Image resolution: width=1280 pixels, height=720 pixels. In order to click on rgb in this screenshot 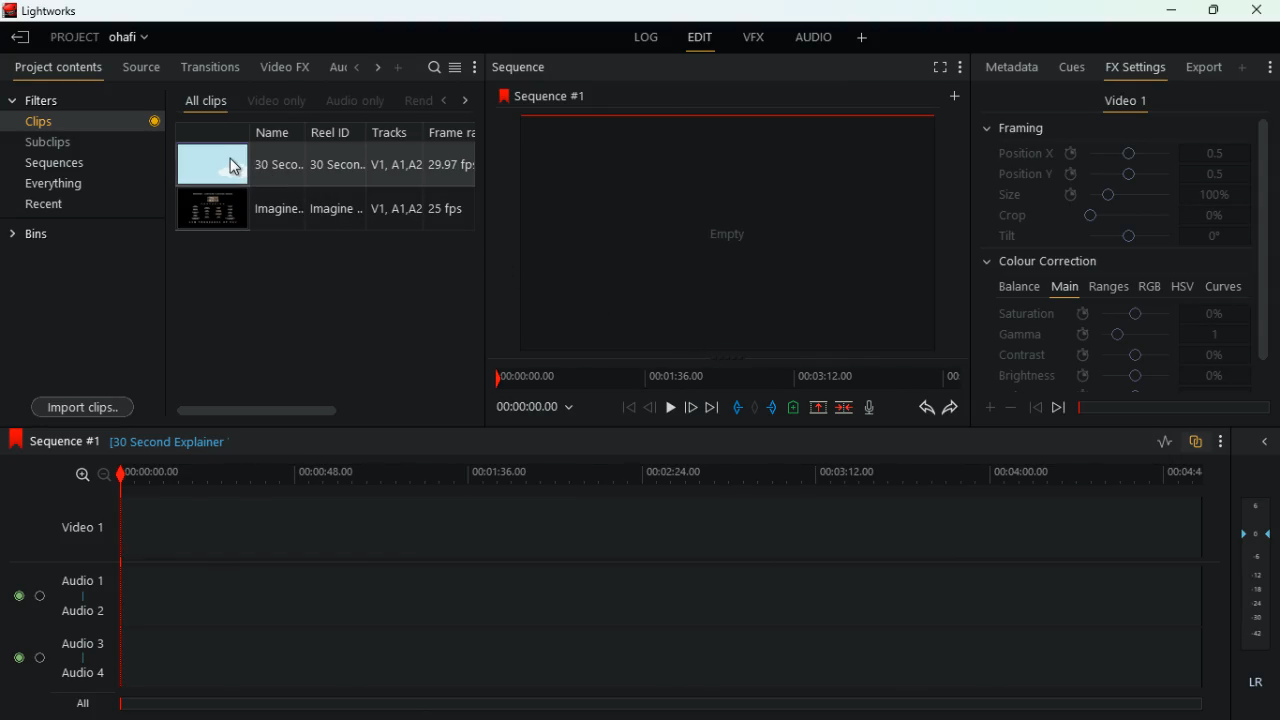, I will do `click(1150, 285)`.